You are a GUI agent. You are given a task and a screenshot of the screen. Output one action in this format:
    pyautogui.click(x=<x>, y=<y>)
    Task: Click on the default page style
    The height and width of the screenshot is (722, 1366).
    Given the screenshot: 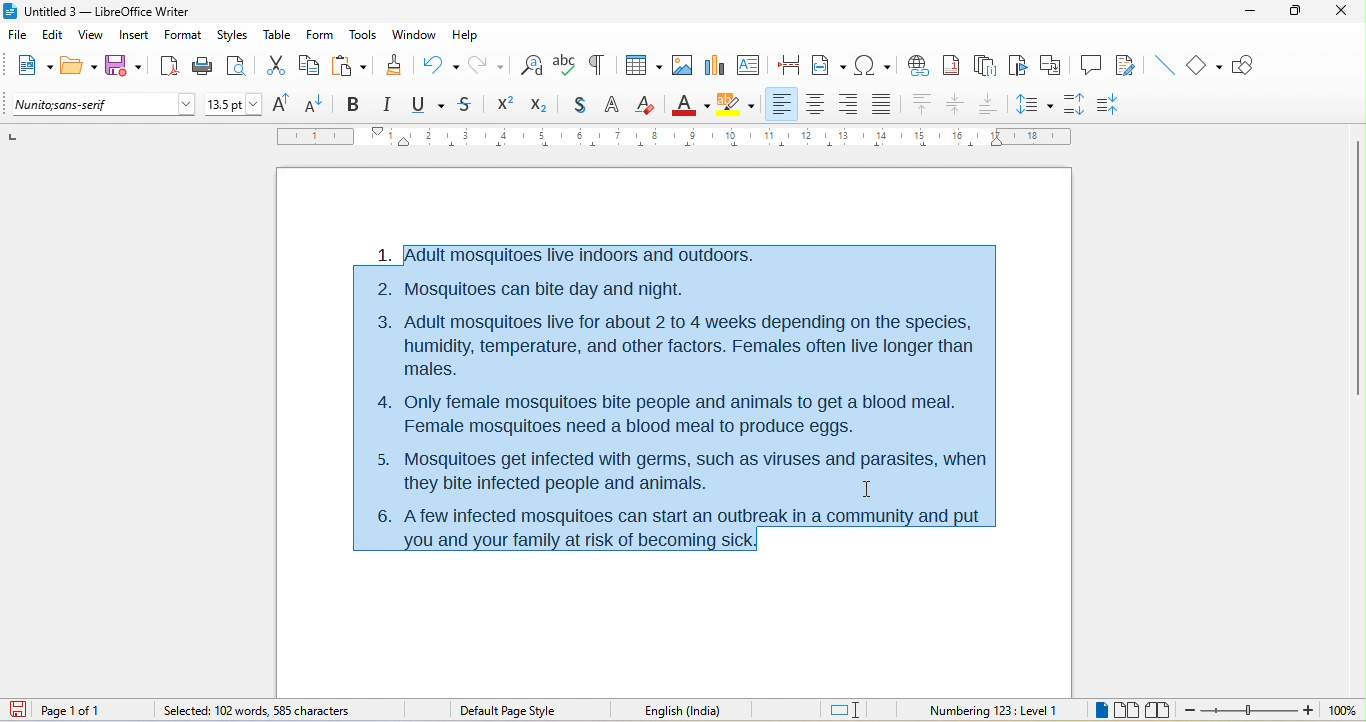 What is the action you would take?
    pyautogui.click(x=509, y=710)
    